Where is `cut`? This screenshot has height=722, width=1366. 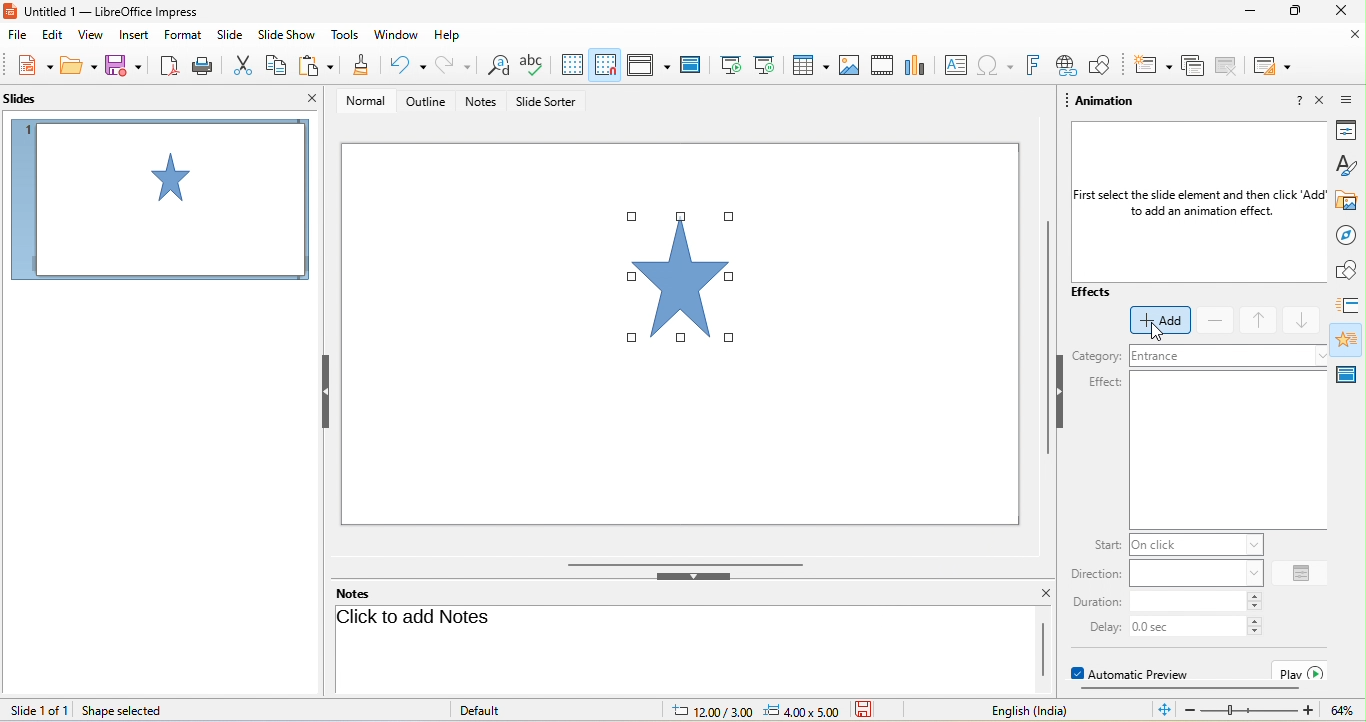 cut is located at coordinates (244, 65).